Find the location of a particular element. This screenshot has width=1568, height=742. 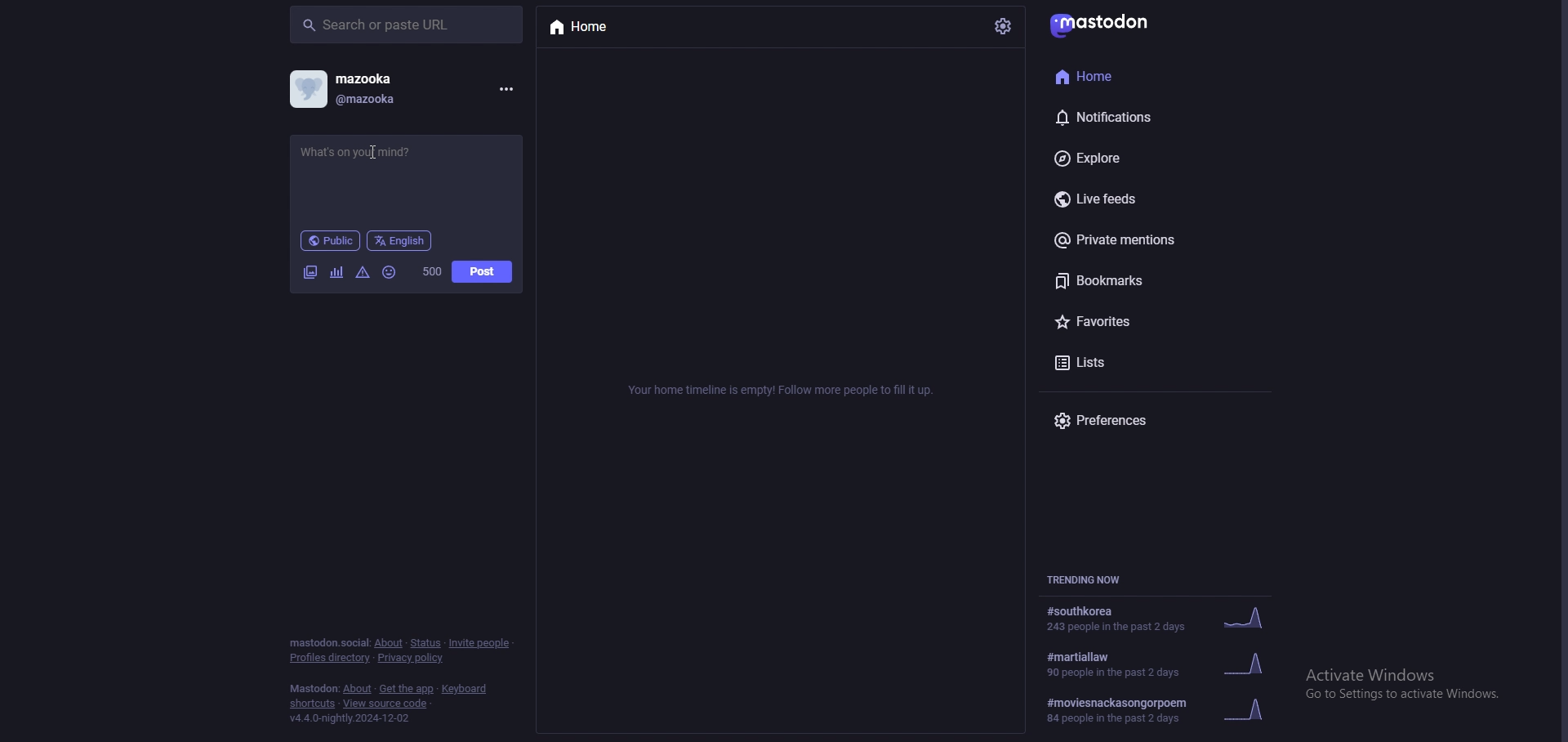

invite people is located at coordinates (482, 644).